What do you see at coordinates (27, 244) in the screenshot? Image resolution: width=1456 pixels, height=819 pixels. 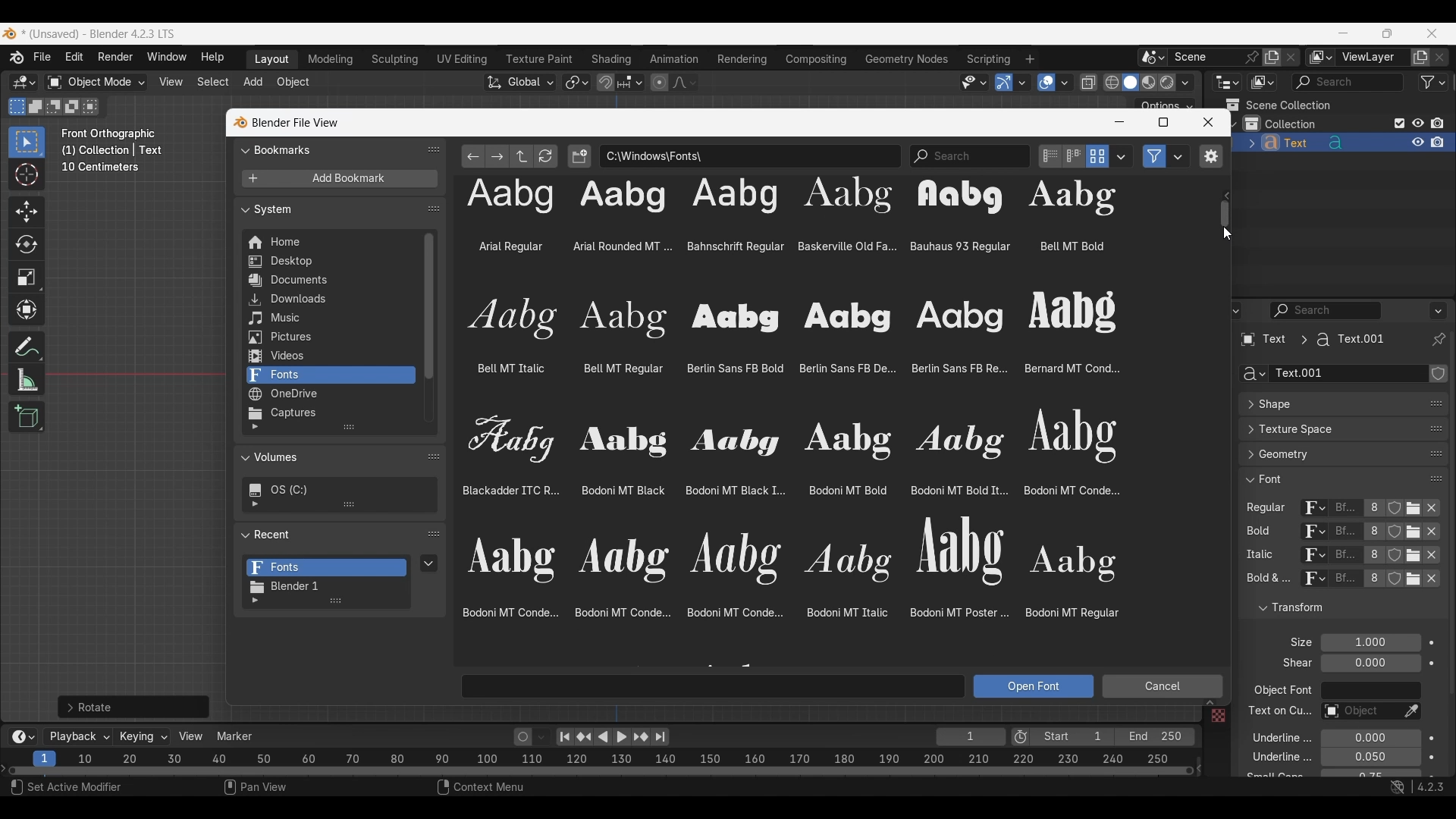 I see `Rotate` at bounding box center [27, 244].